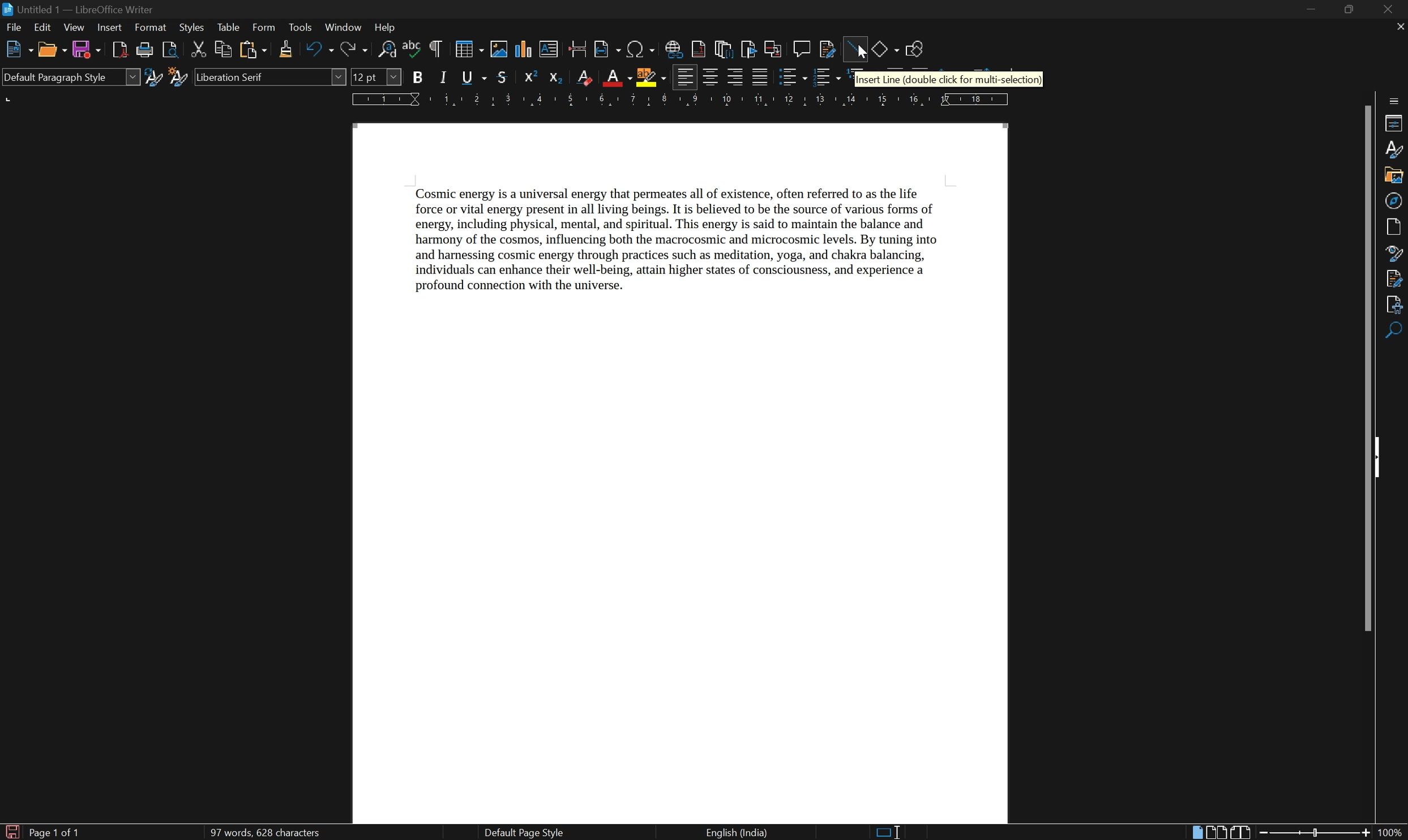 The image size is (1408, 840). I want to click on accessibility check, so click(1396, 306).